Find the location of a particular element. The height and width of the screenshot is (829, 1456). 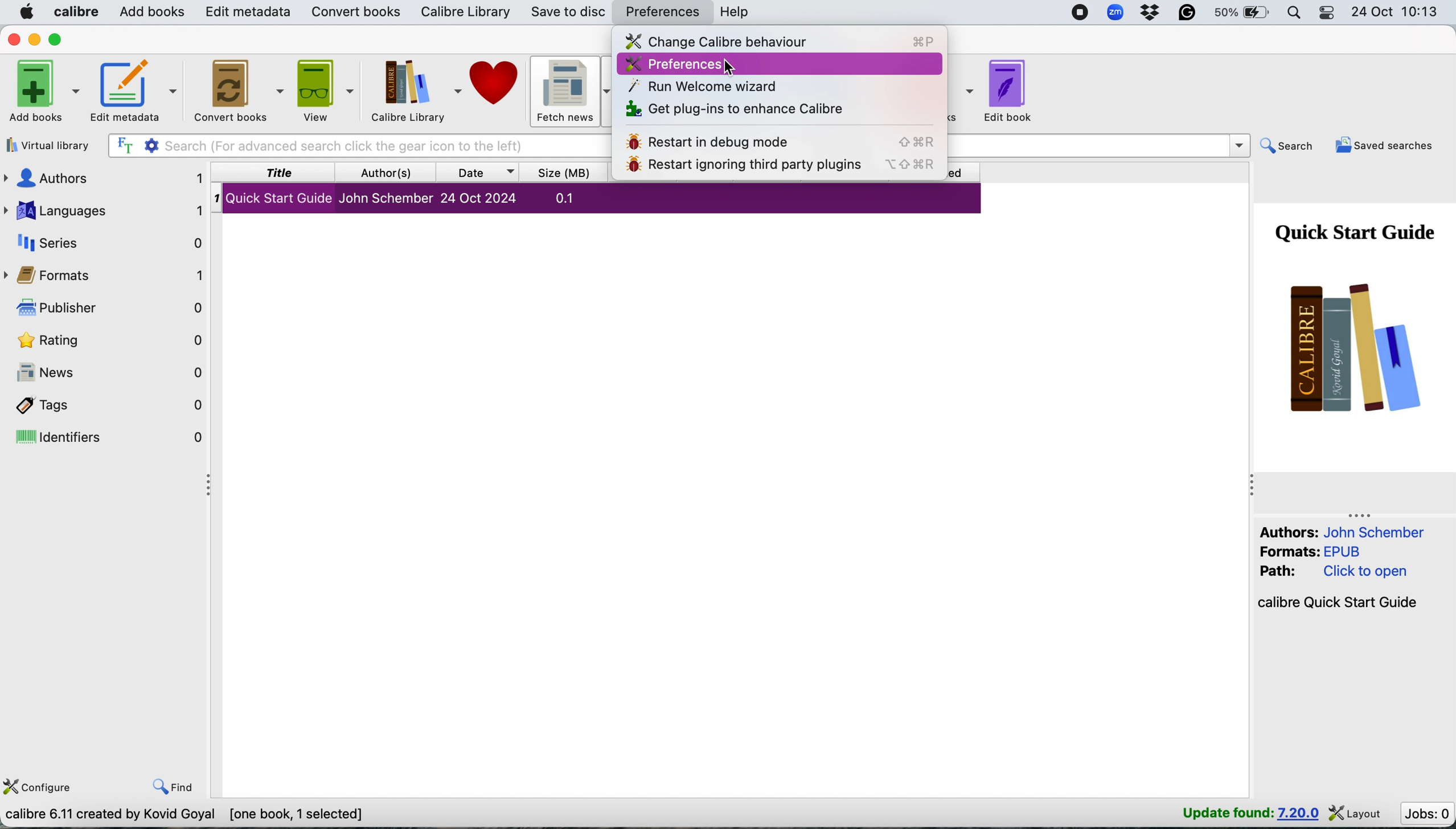

jobs : 0 is located at coordinates (1426, 813).